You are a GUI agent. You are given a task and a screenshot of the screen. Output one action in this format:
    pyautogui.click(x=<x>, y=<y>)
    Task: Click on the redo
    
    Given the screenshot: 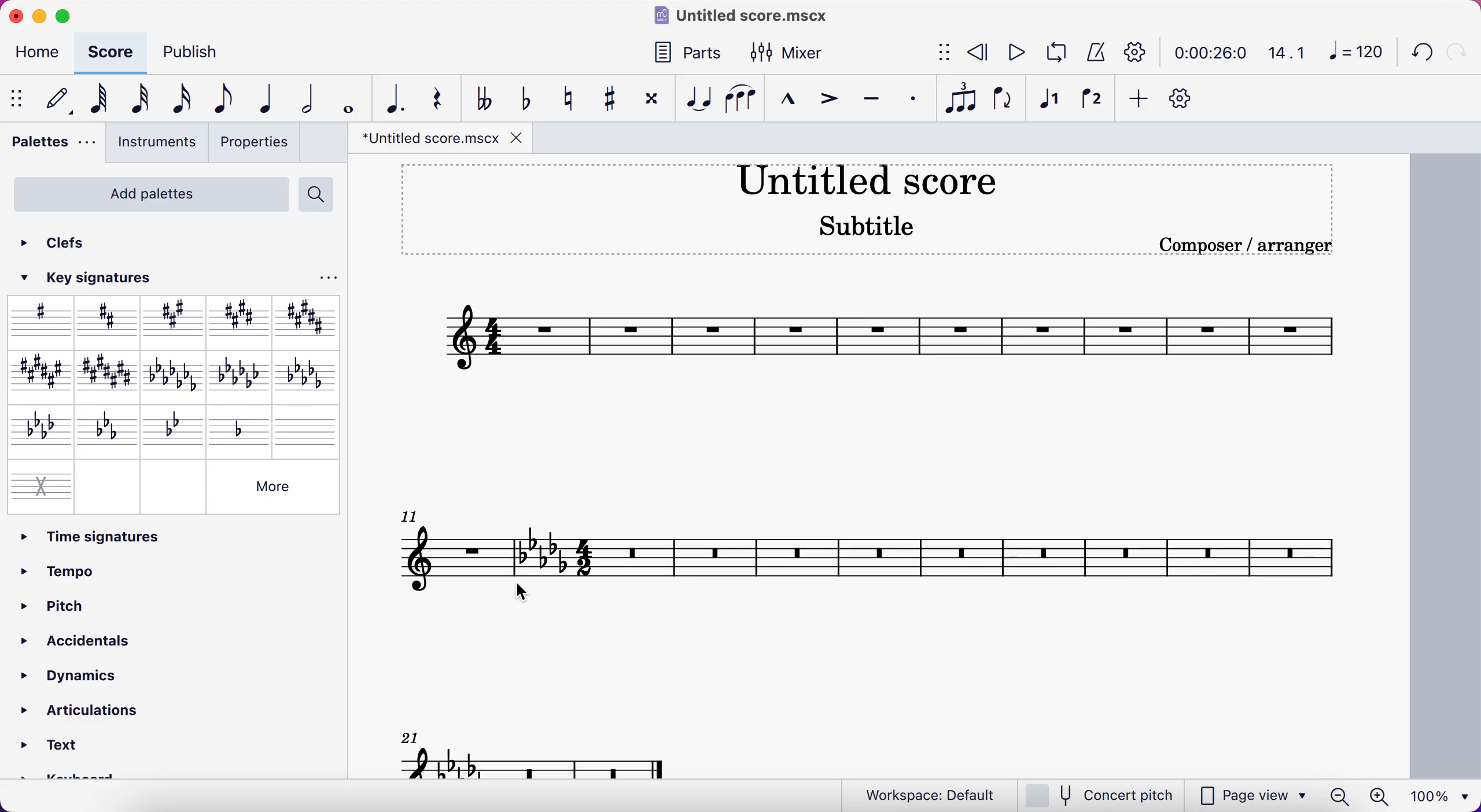 What is the action you would take?
    pyautogui.click(x=1457, y=53)
    